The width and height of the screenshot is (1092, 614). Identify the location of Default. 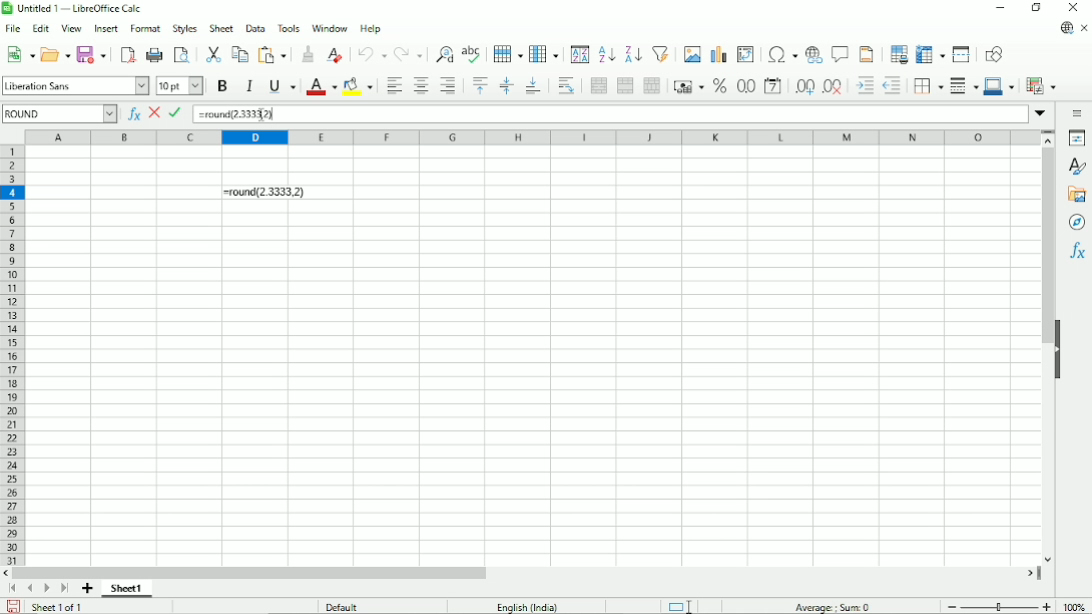
(340, 606).